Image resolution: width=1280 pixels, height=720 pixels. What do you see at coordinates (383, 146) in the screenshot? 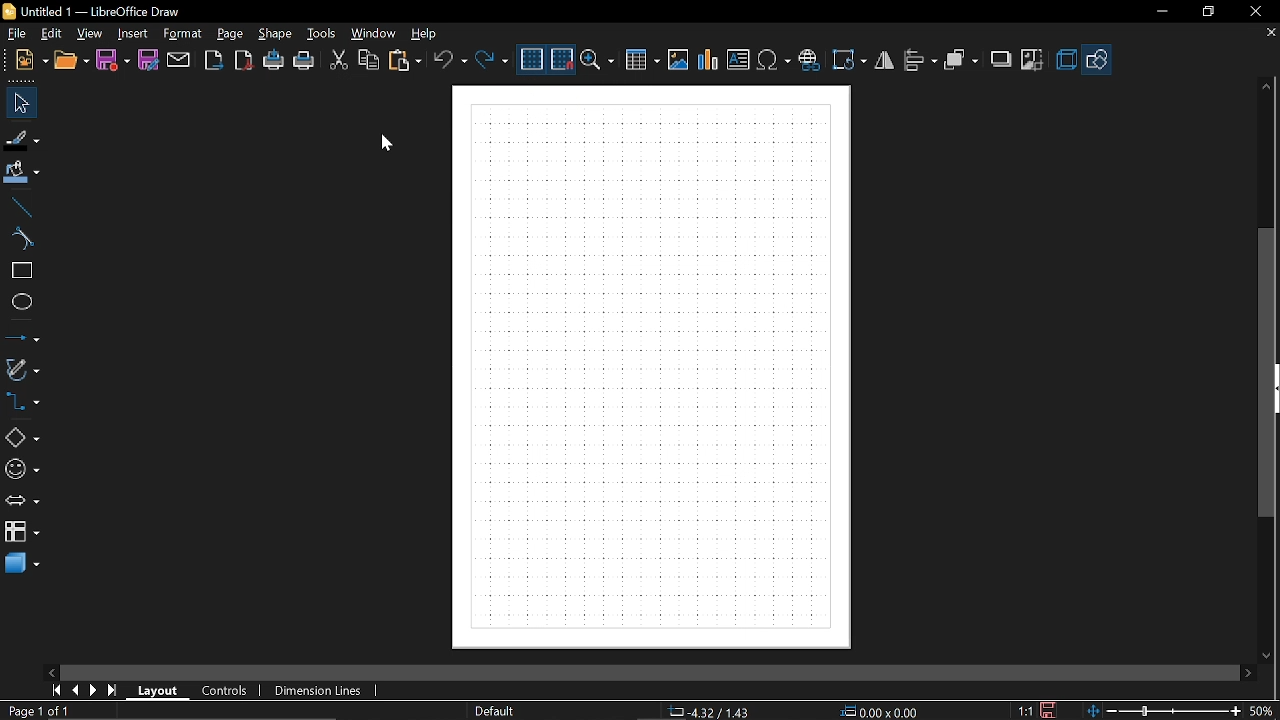
I see `Cursor` at bounding box center [383, 146].